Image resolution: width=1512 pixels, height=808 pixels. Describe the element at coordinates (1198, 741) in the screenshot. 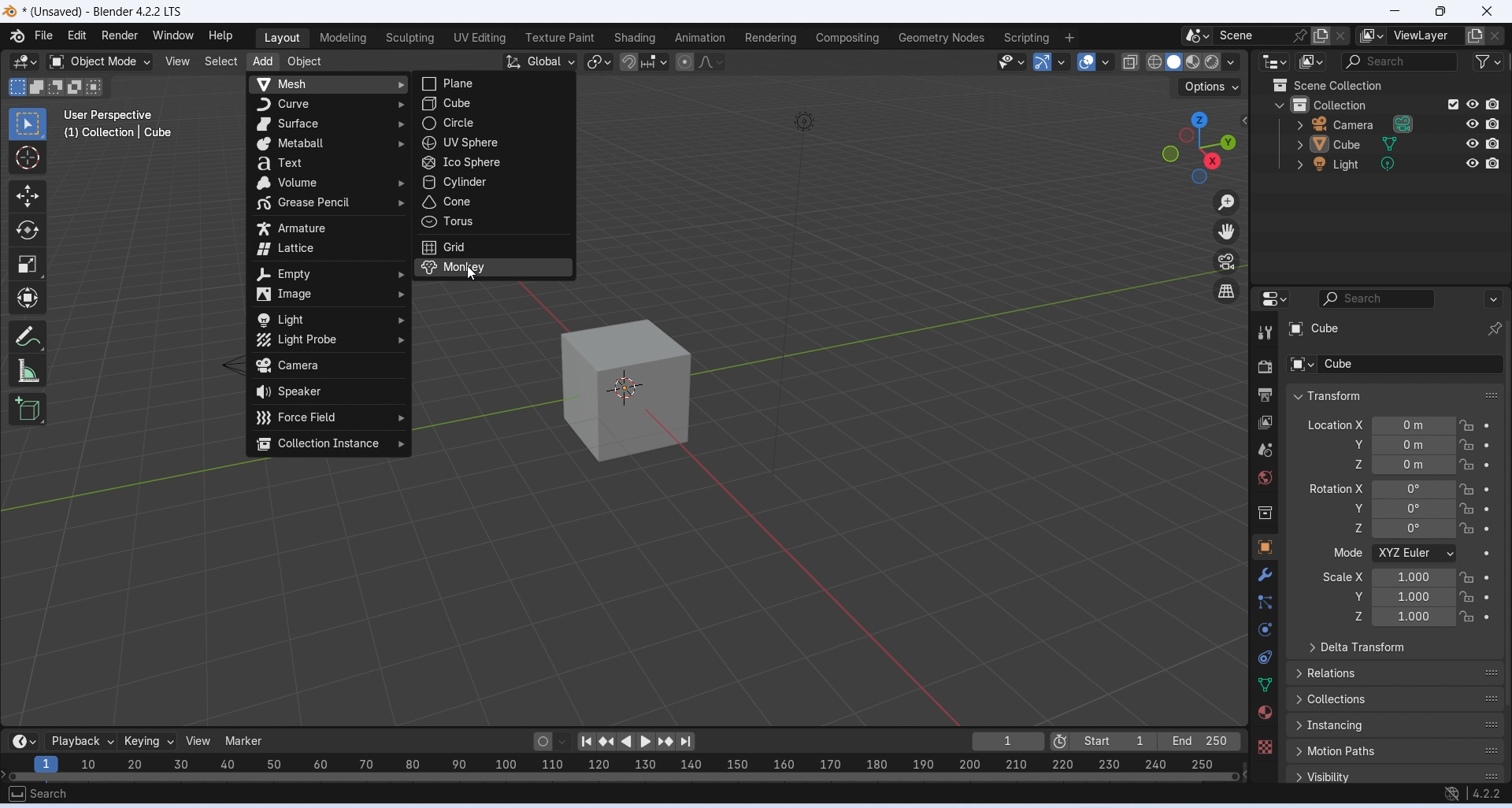

I see `End 250` at that location.